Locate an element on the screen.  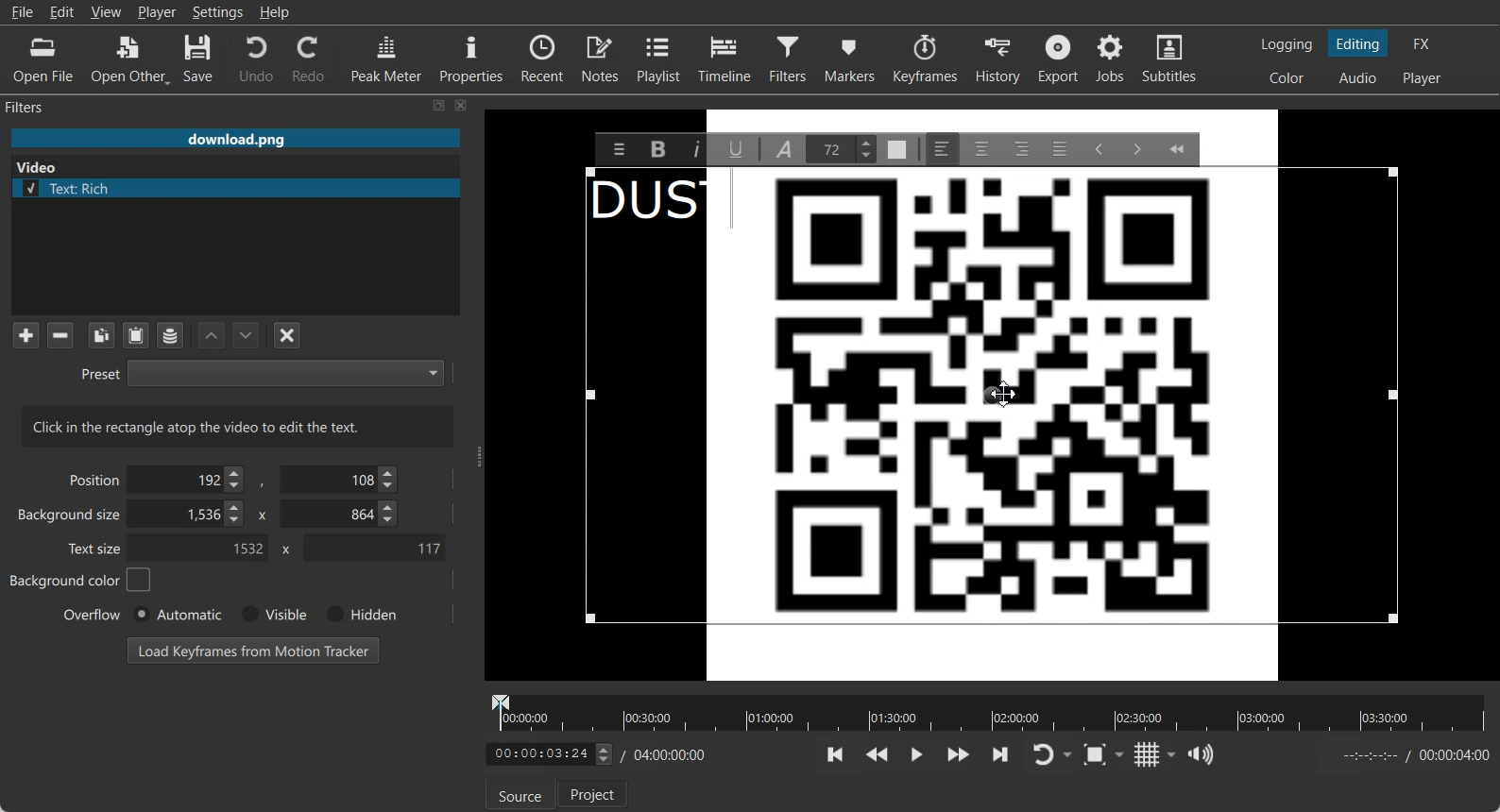
Video timeline is located at coordinates (988, 711).